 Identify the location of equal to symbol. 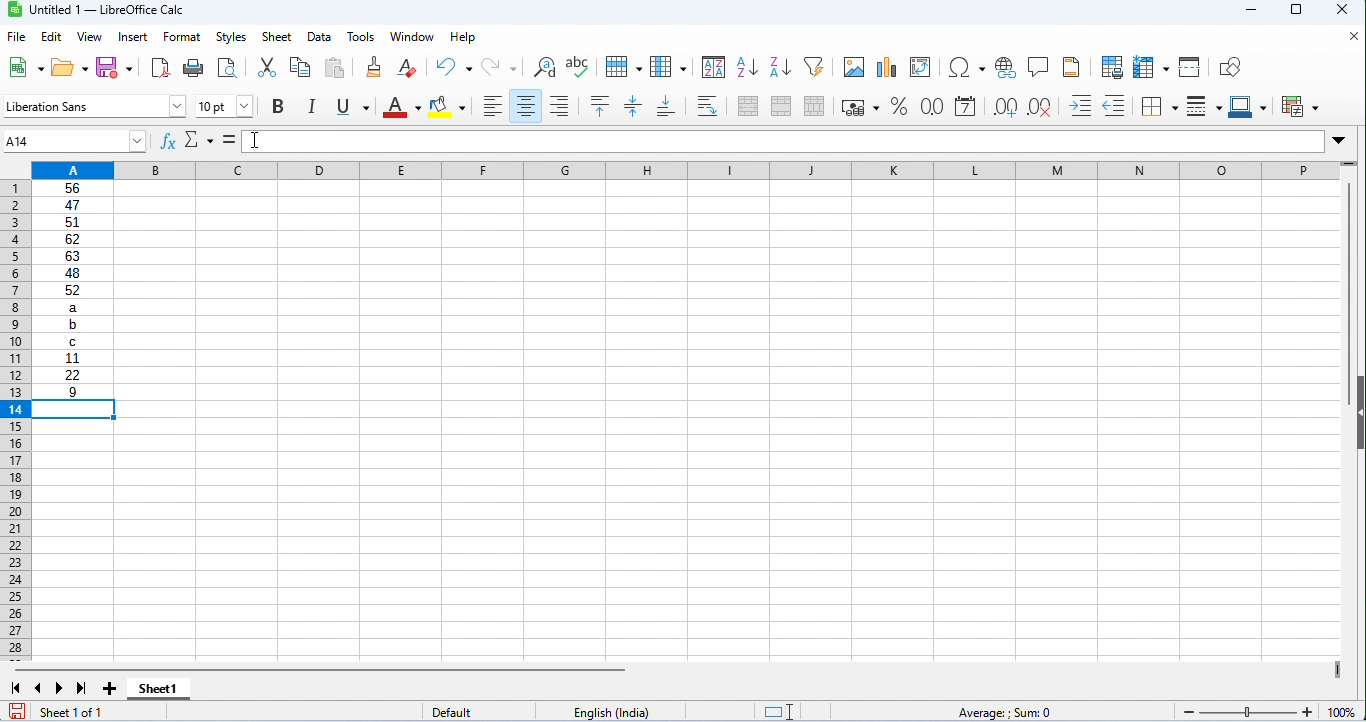
(230, 141).